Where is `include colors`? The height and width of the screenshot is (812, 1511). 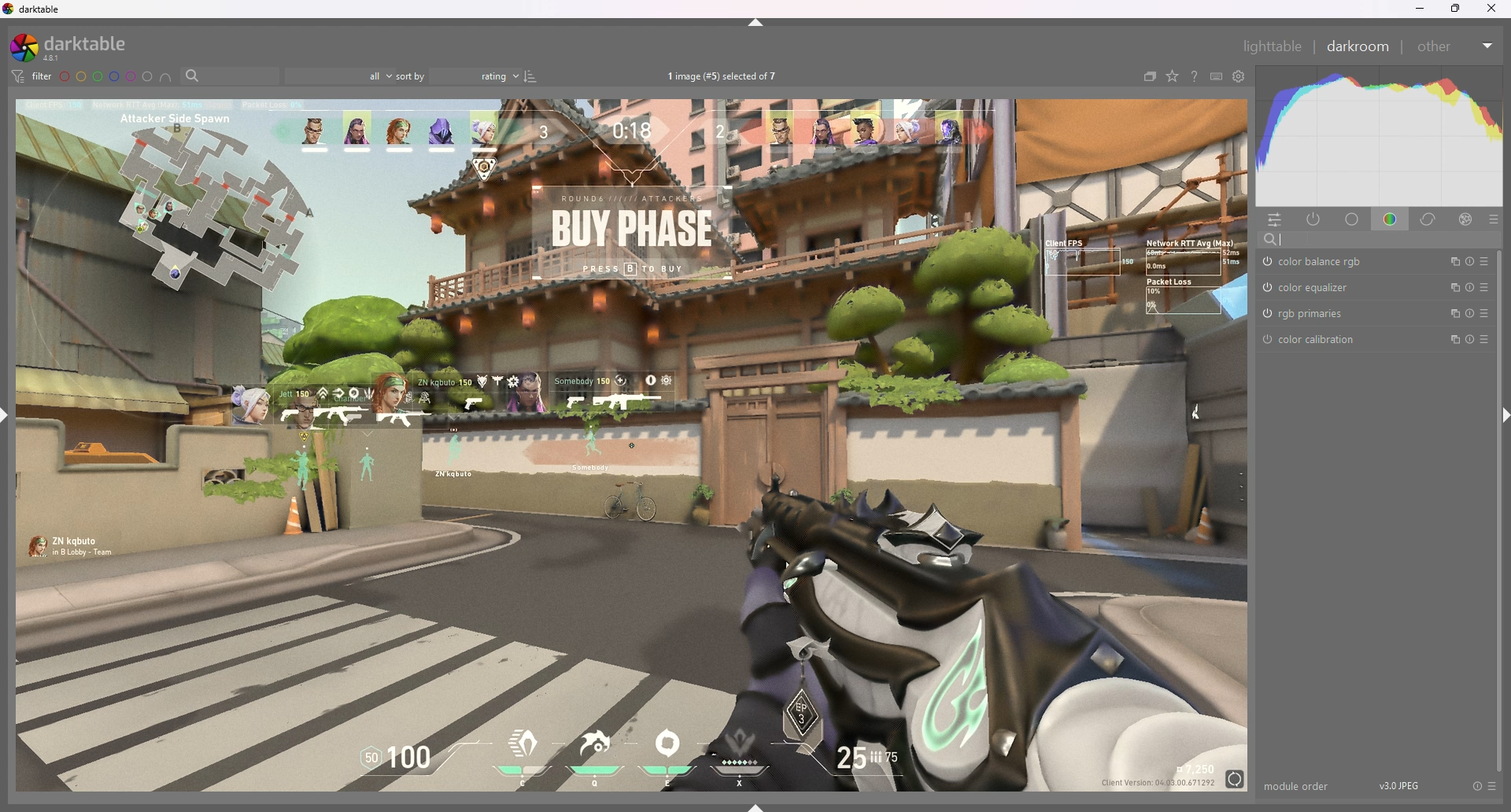 include colors is located at coordinates (165, 78).